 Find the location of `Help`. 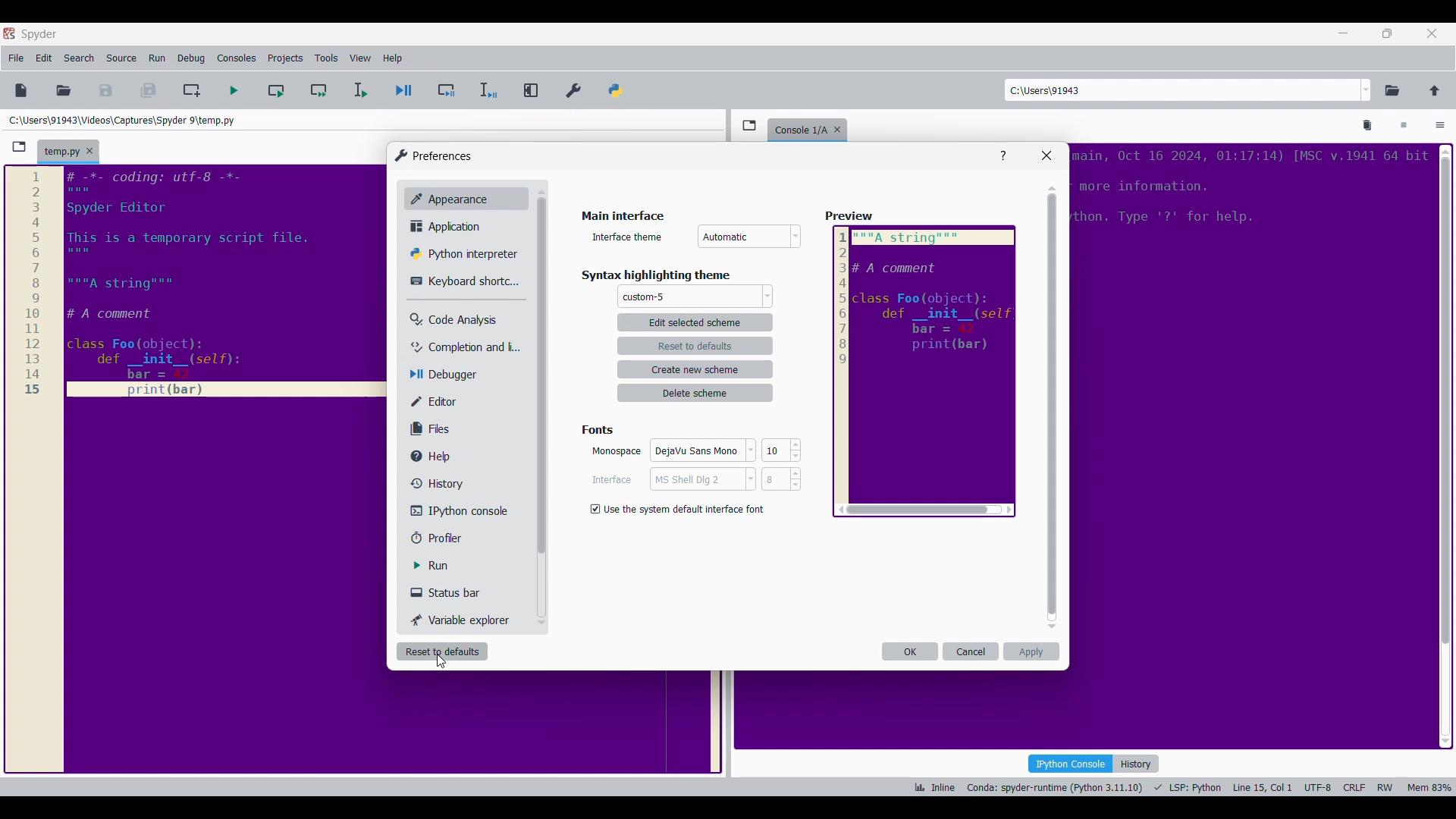

Help is located at coordinates (466, 457).